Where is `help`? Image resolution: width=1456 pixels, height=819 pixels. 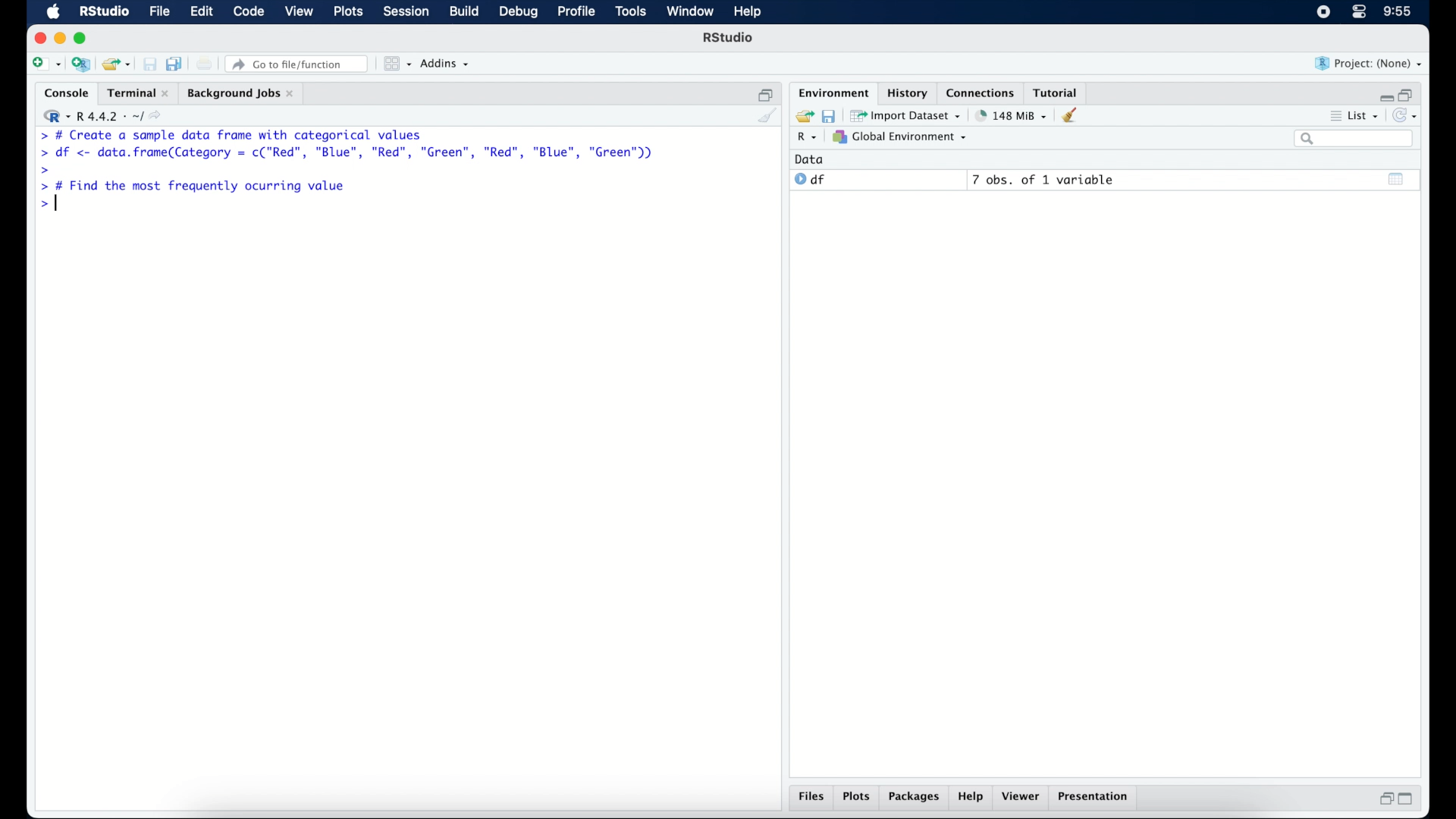 help is located at coordinates (973, 798).